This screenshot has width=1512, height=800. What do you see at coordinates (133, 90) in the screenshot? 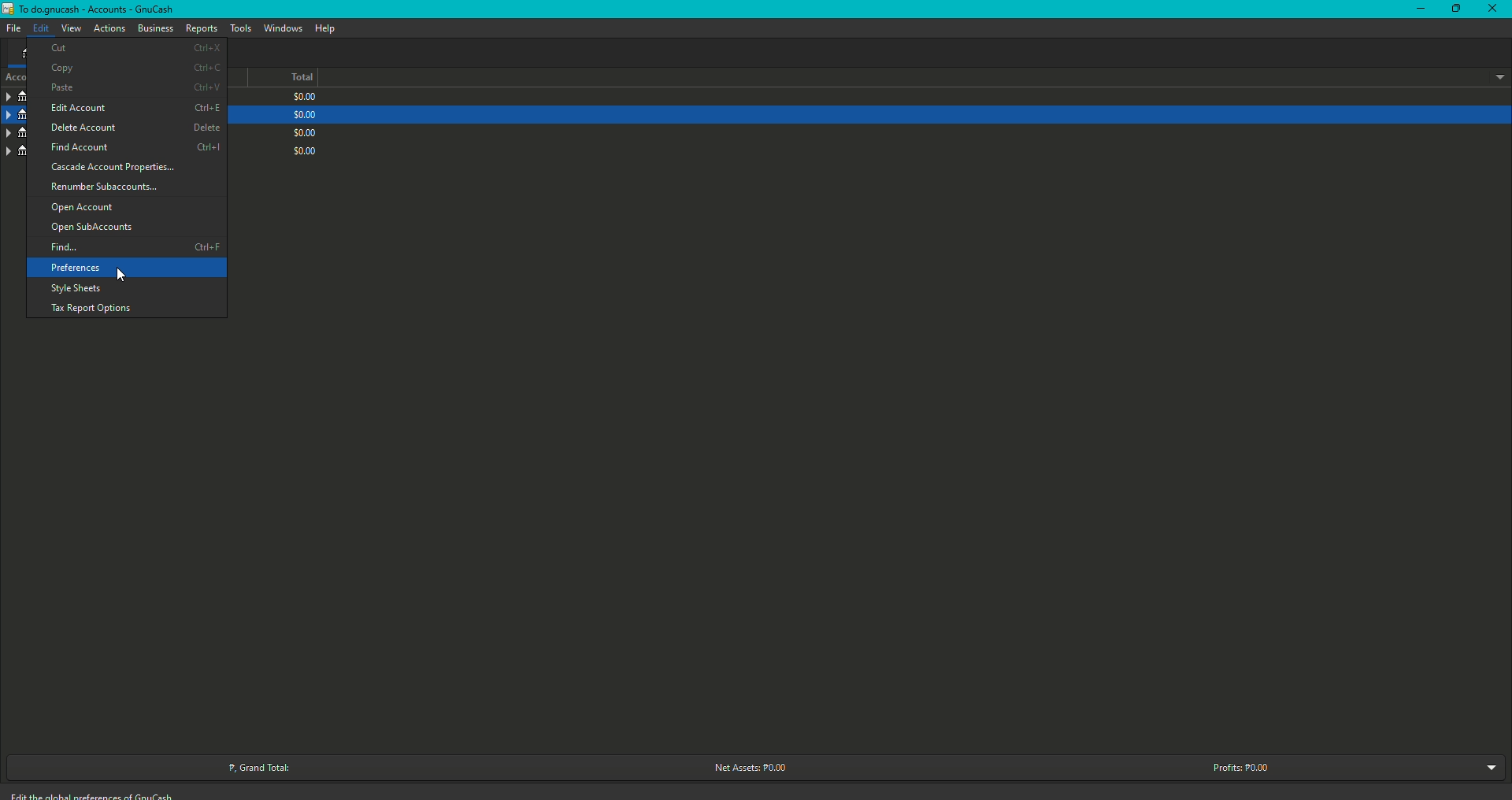
I see `Paste` at bounding box center [133, 90].